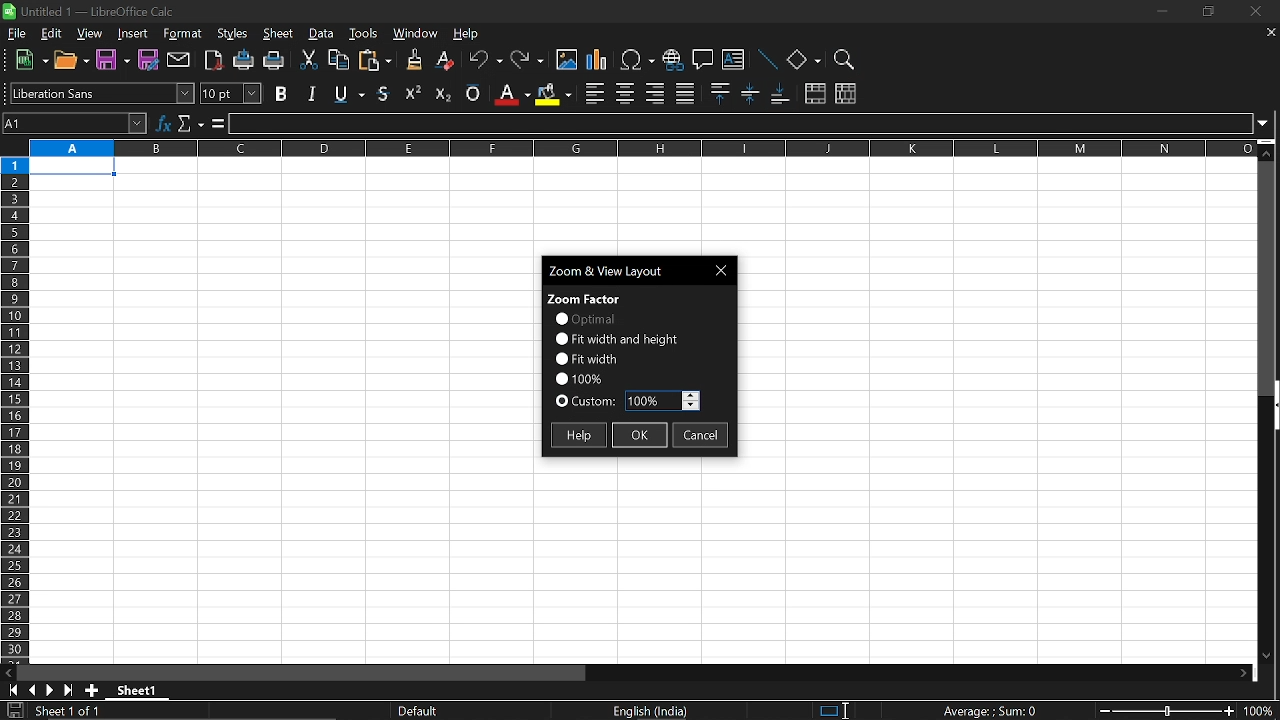 This screenshot has height=720, width=1280. Describe the element at coordinates (283, 93) in the screenshot. I see `bold` at that location.